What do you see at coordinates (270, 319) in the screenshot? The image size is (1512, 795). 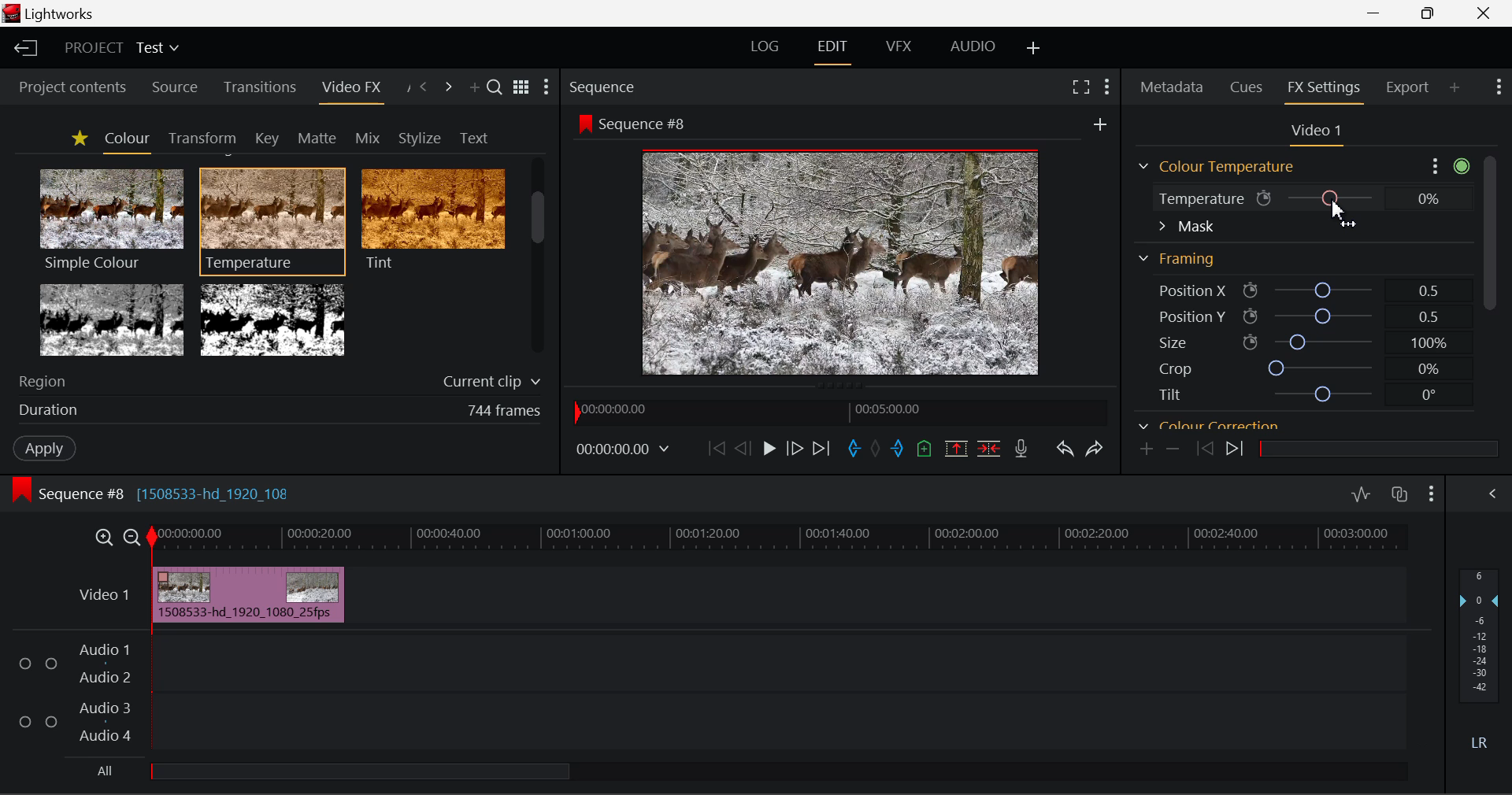 I see `Two Tone` at bounding box center [270, 319].